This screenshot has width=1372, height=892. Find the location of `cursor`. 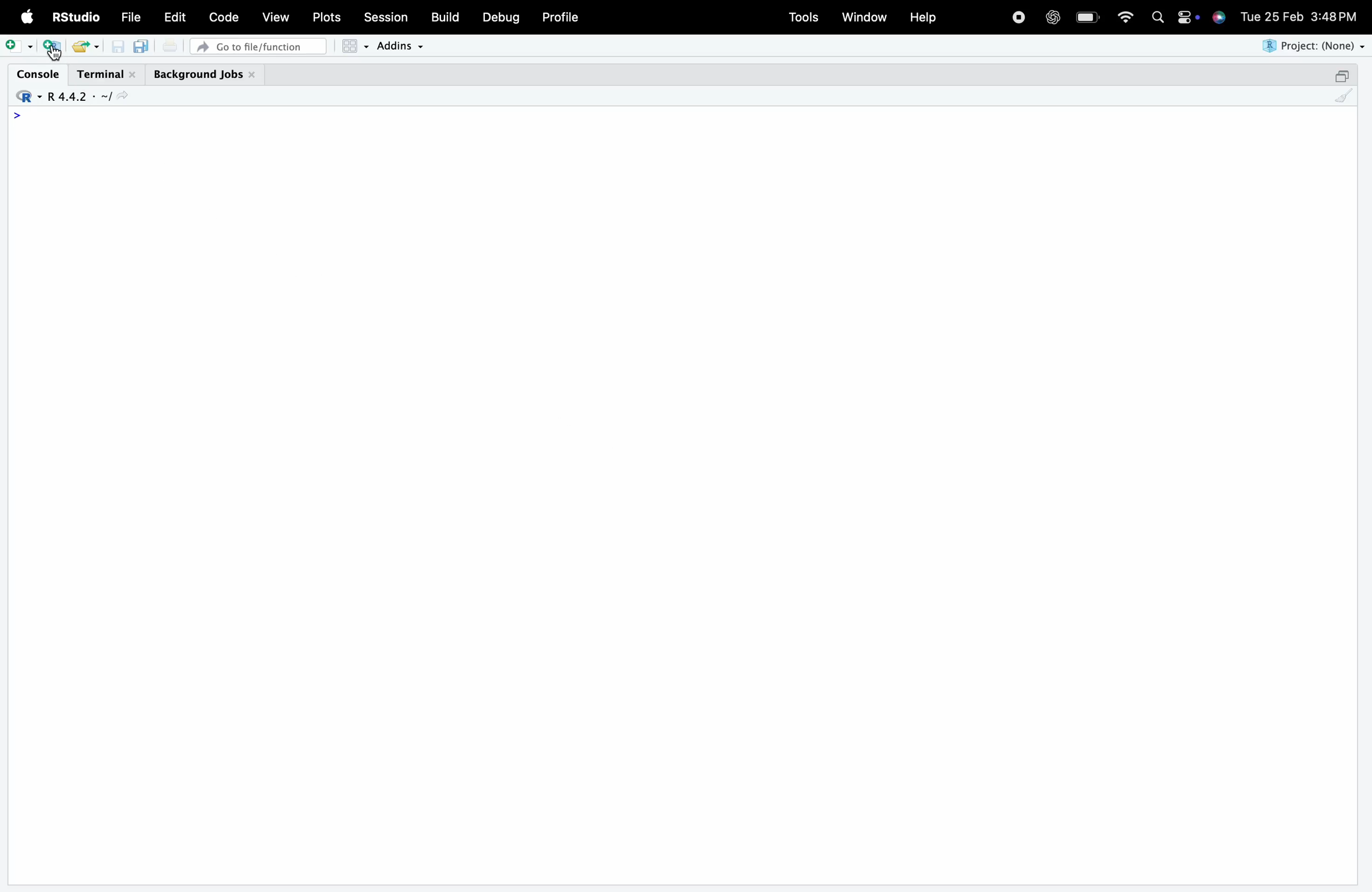

cursor is located at coordinates (55, 54).